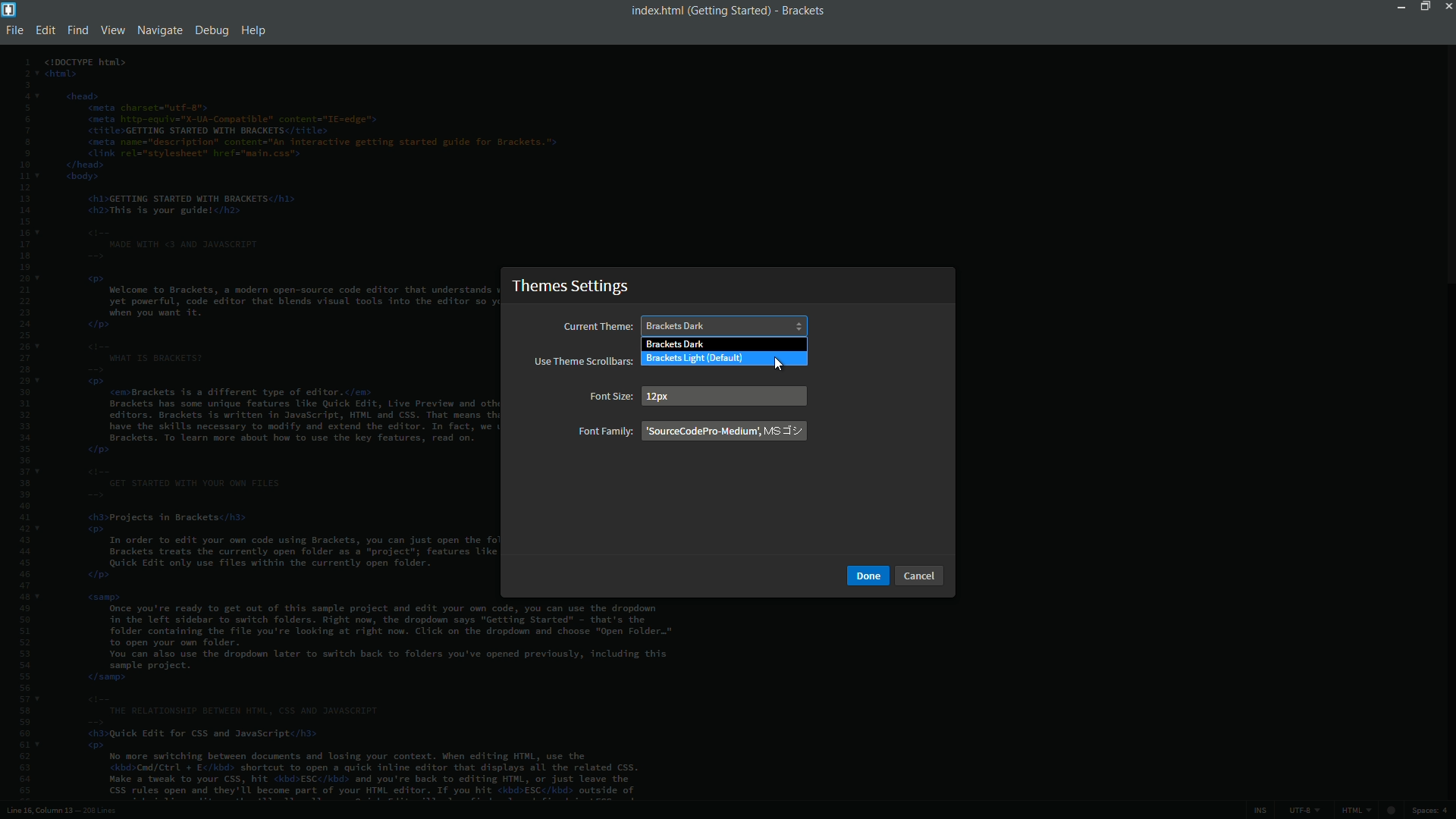 This screenshot has height=819, width=1456. What do you see at coordinates (1258, 811) in the screenshot?
I see `ins` at bounding box center [1258, 811].